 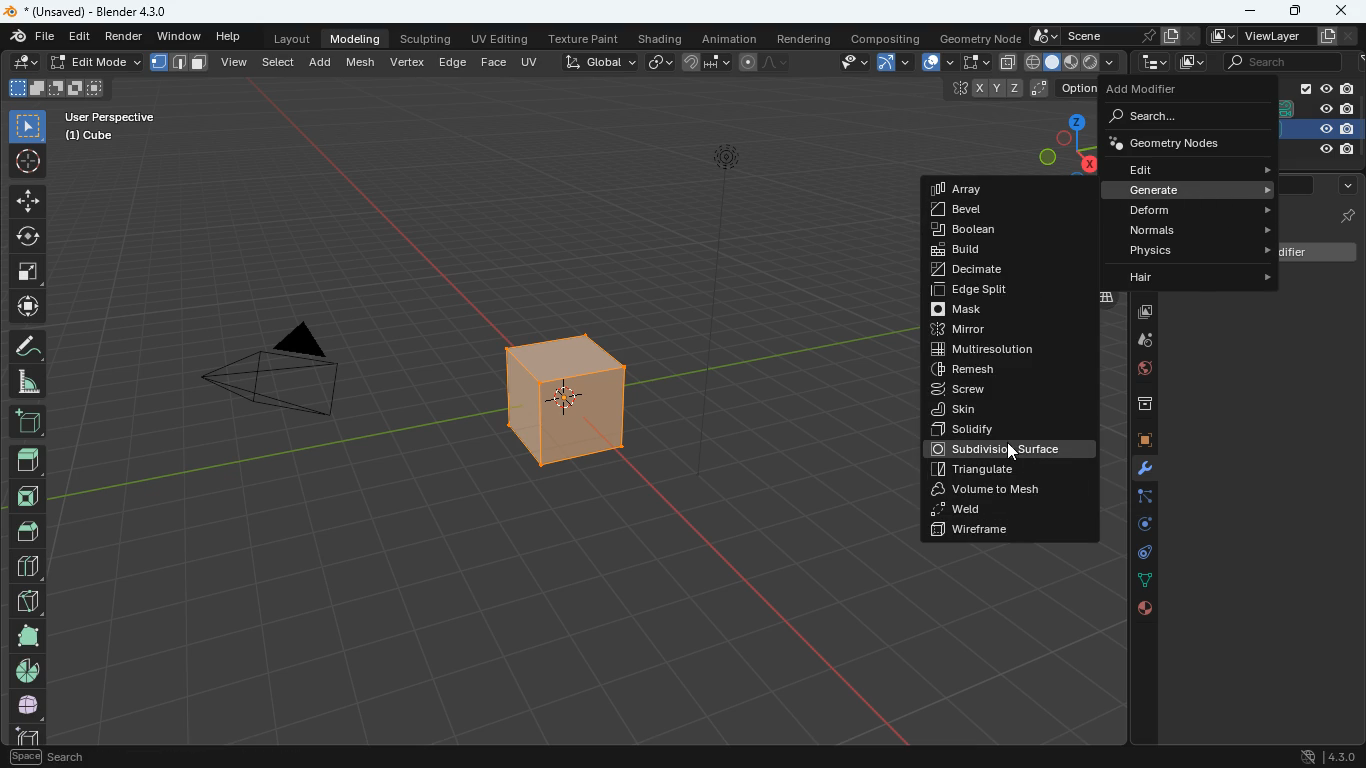 What do you see at coordinates (287, 39) in the screenshot?
I see `layout` at bounding box center [287, 39].